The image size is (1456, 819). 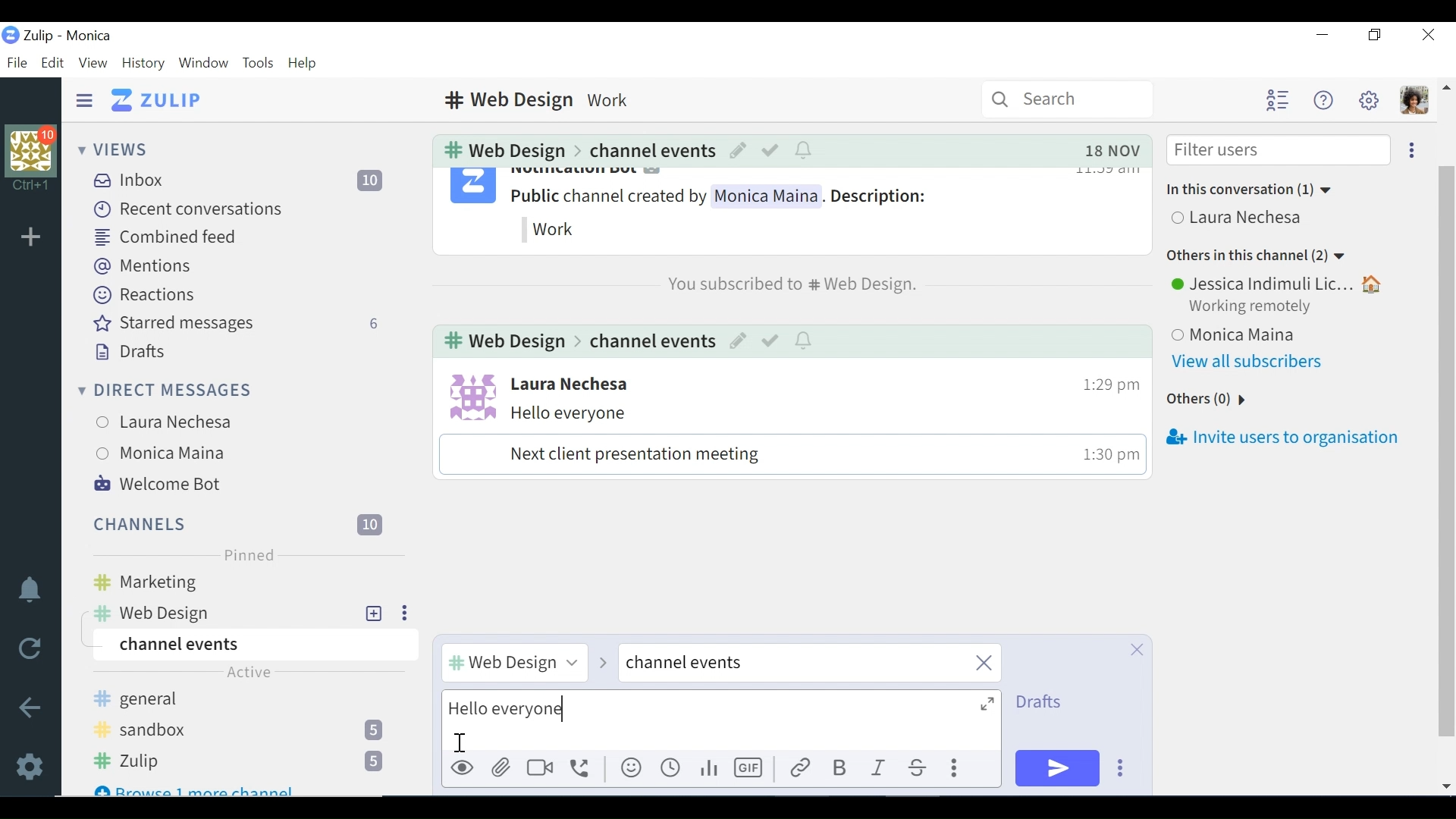 I want to click on Go back, so click(x=31, y=707).